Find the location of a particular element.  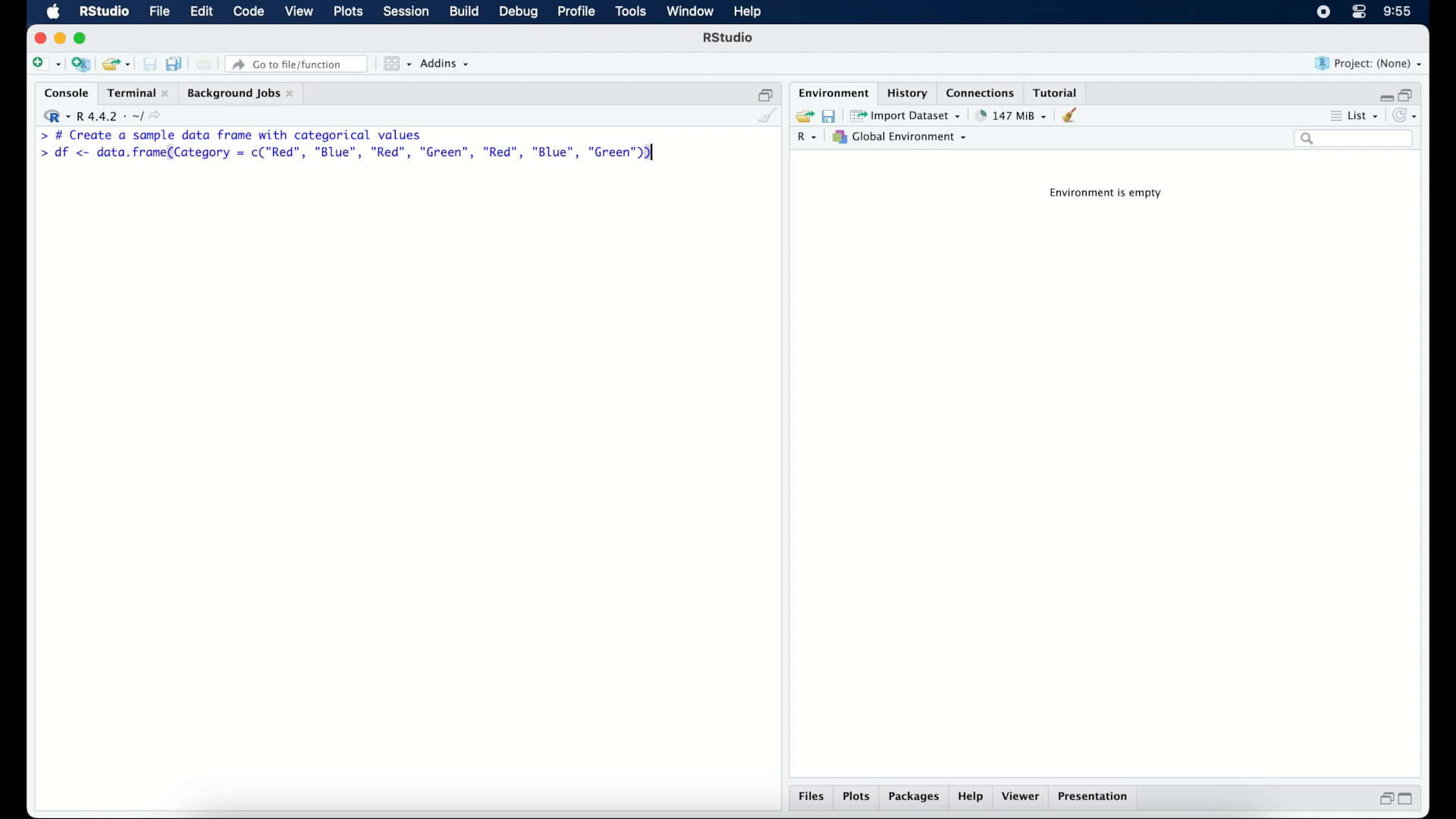

> # Create a sample data frame with categorical values| is located at coordinates (252, 134).